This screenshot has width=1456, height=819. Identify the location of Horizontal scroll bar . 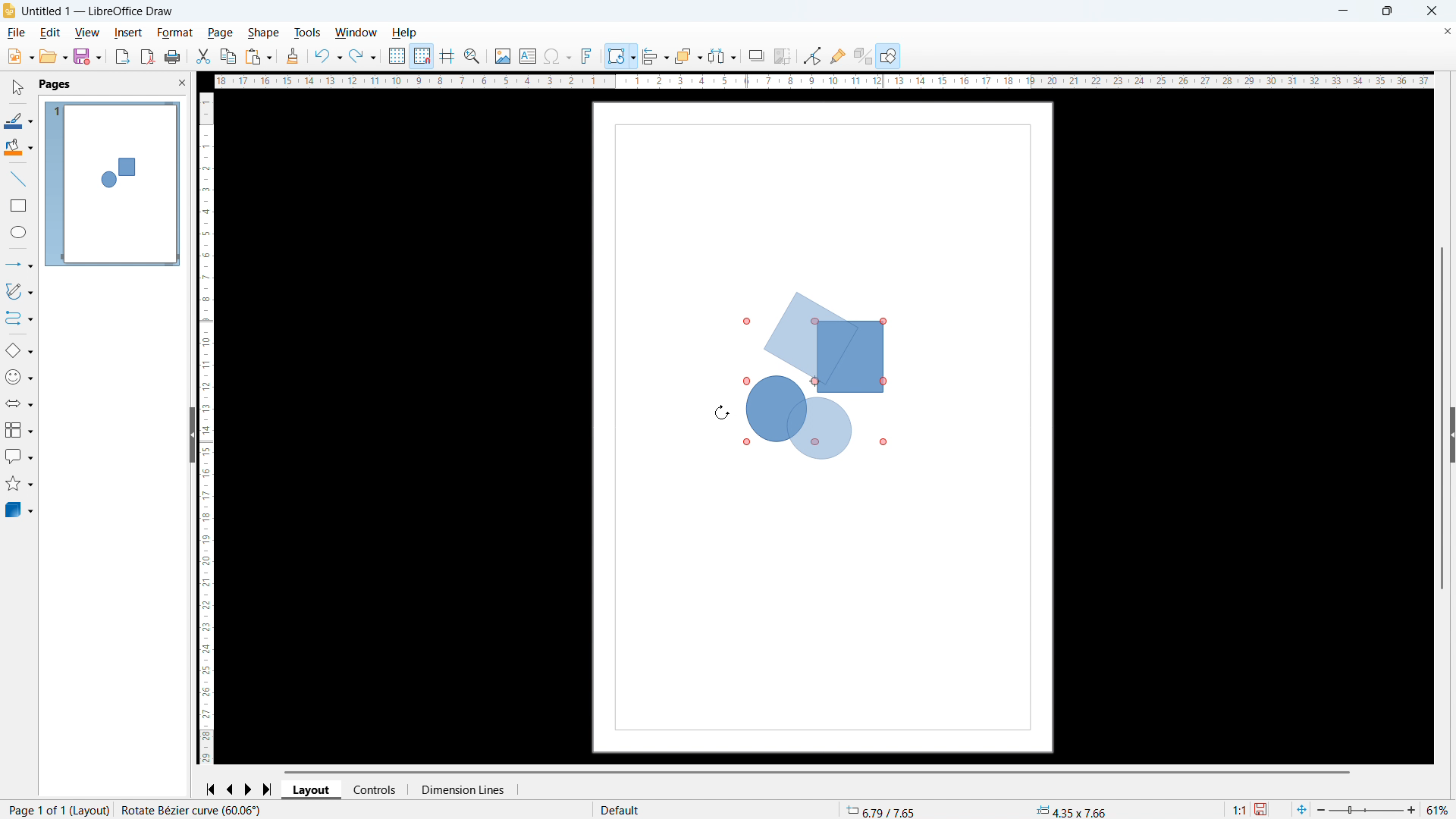
(818, 772).